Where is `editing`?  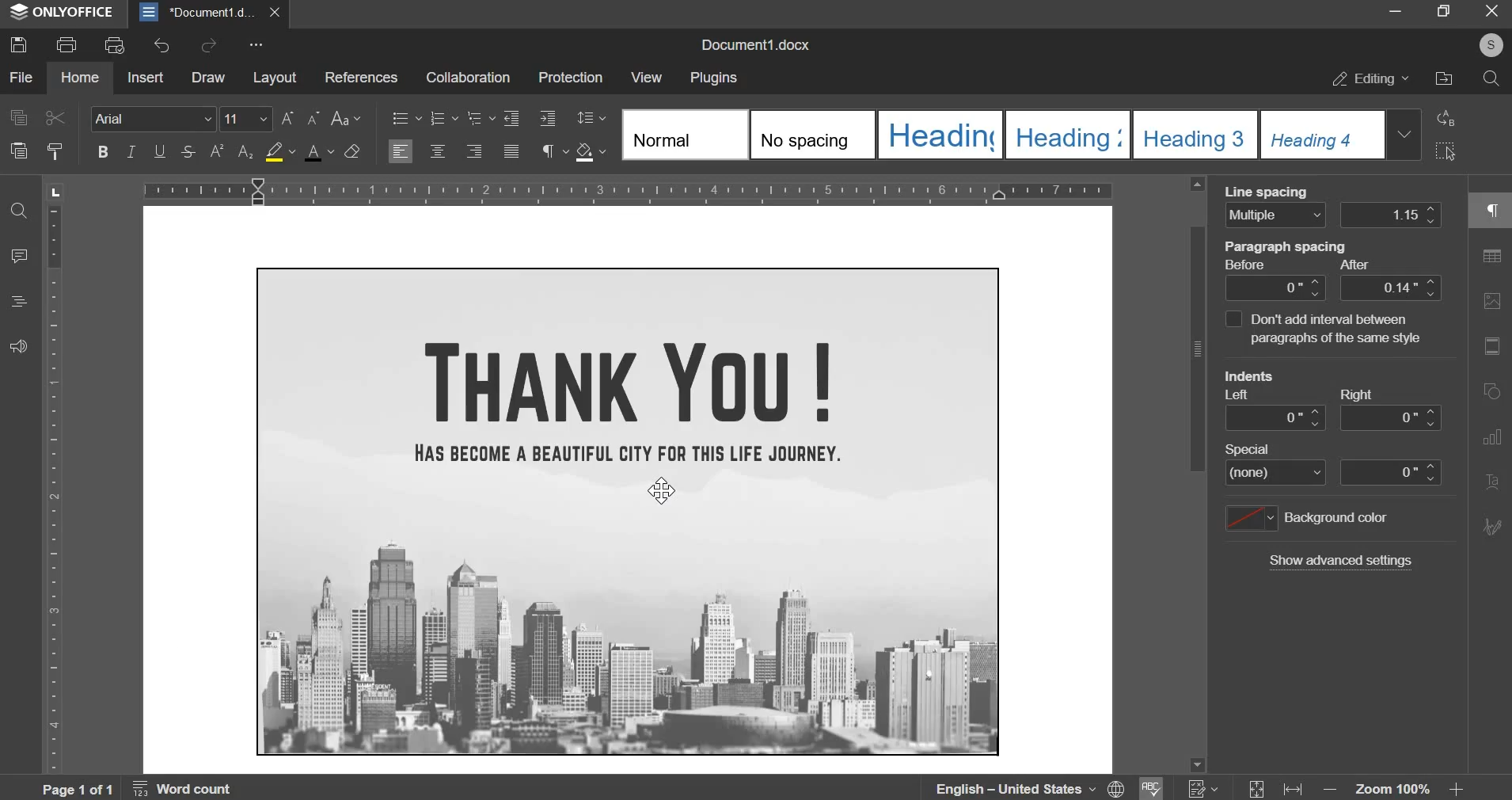
editing is located at coordinates (1370, 79).